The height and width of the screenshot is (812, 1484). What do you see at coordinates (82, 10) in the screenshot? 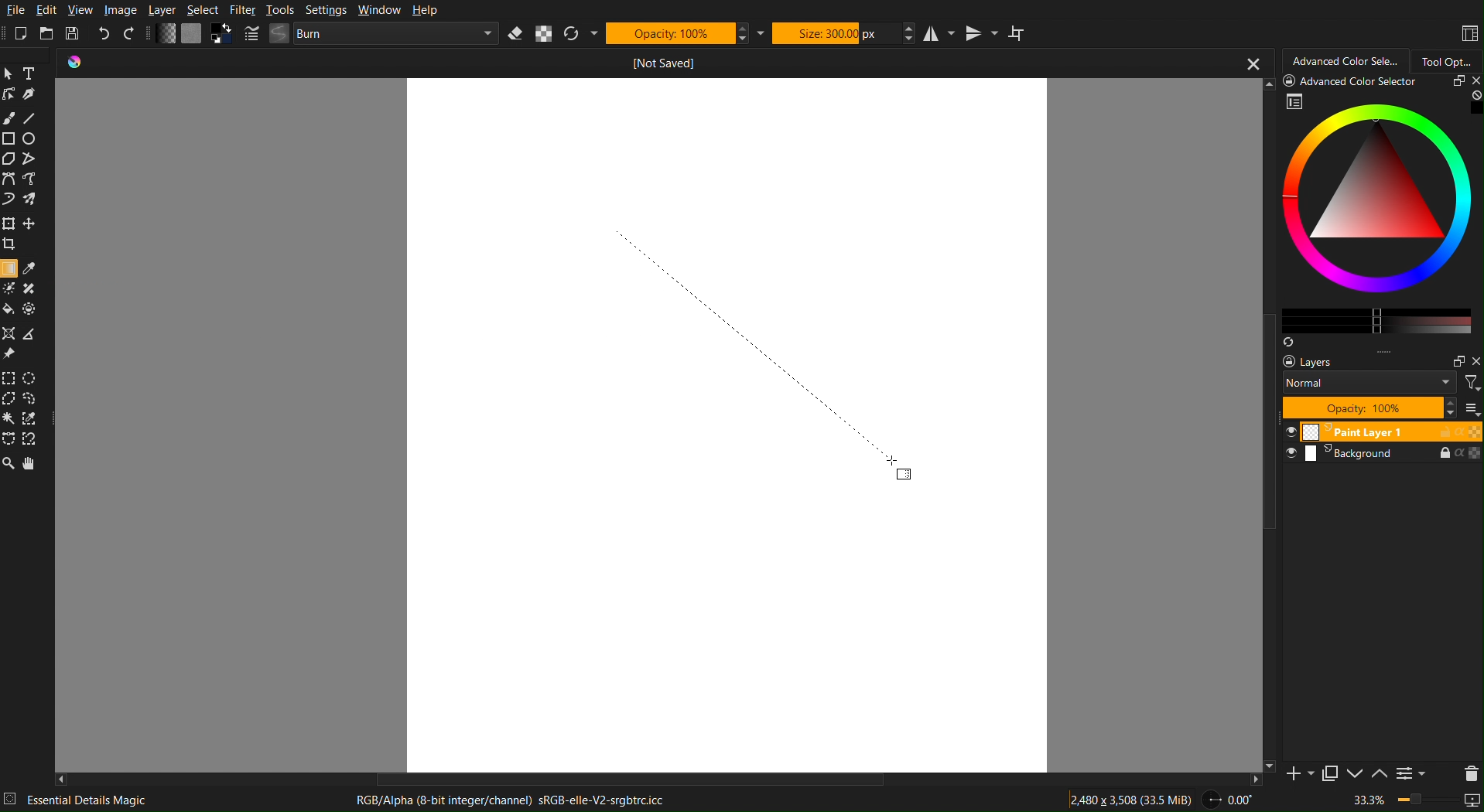
I see `View` at bounding box center [82, 10].